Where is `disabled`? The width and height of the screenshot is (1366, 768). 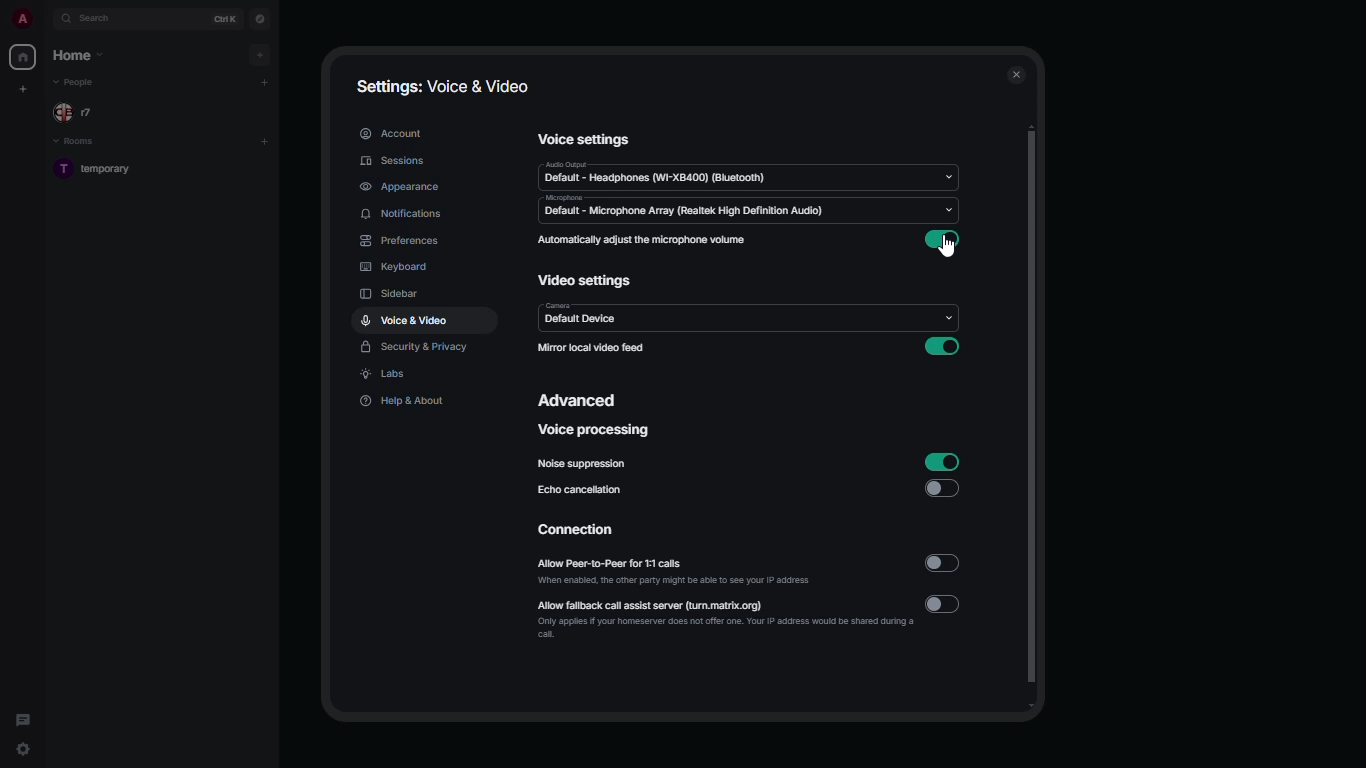 disabled is located at coordinates (943, 563).